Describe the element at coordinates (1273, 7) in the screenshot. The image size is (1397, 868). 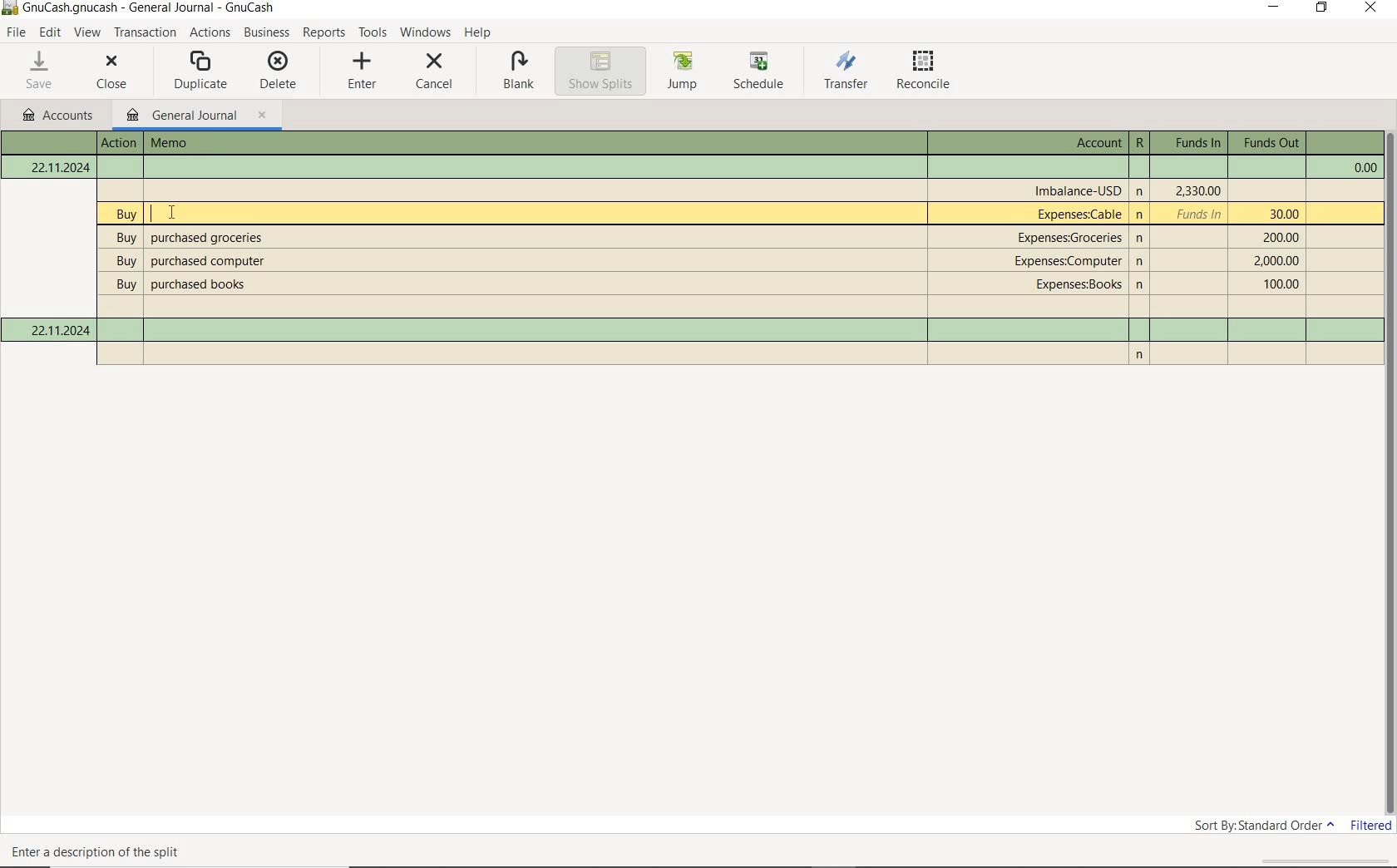
I see `MINIMIZE` at that location.